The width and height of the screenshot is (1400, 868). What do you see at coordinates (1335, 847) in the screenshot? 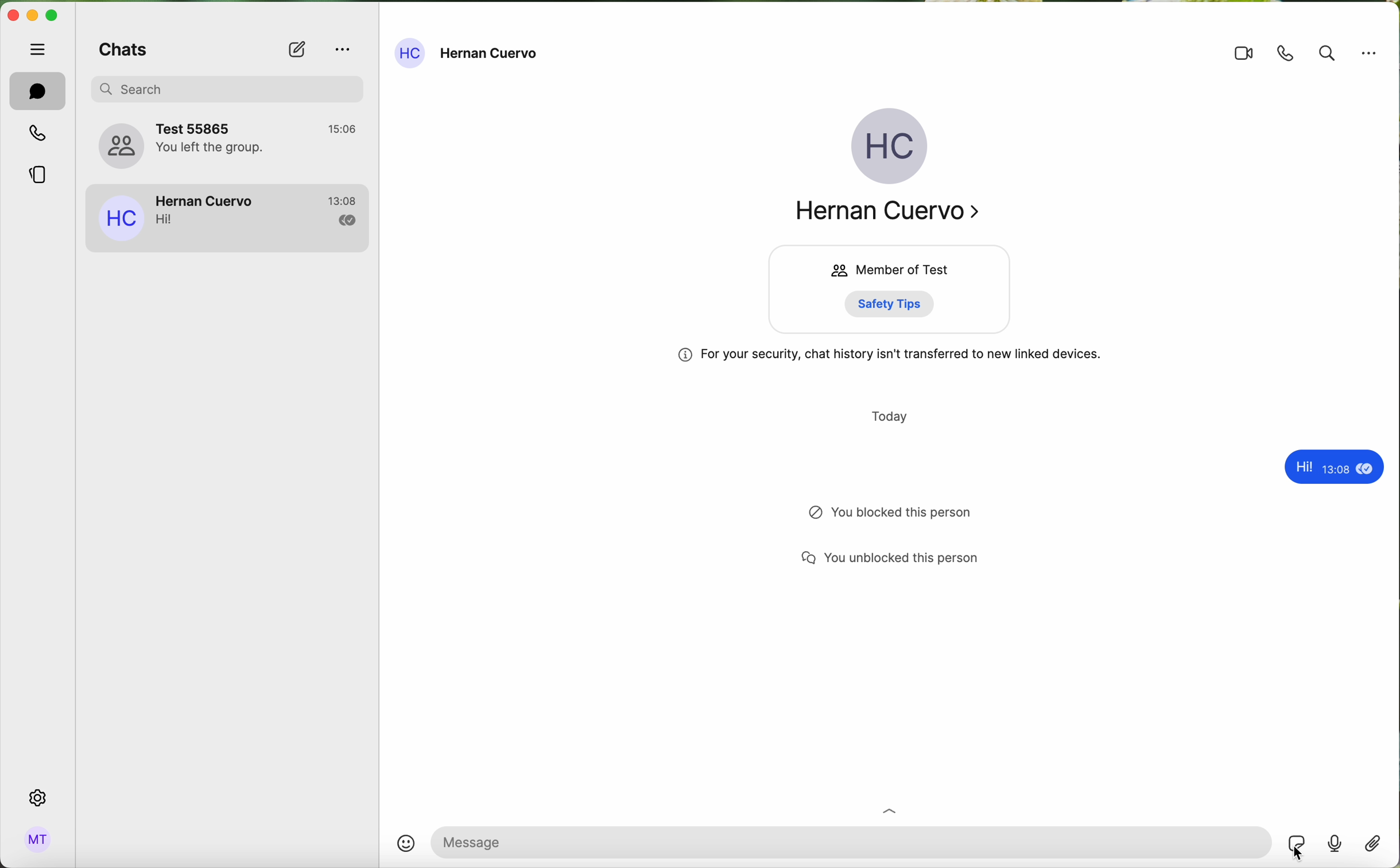
I see `voice record` at bounding box center [1335, 847].